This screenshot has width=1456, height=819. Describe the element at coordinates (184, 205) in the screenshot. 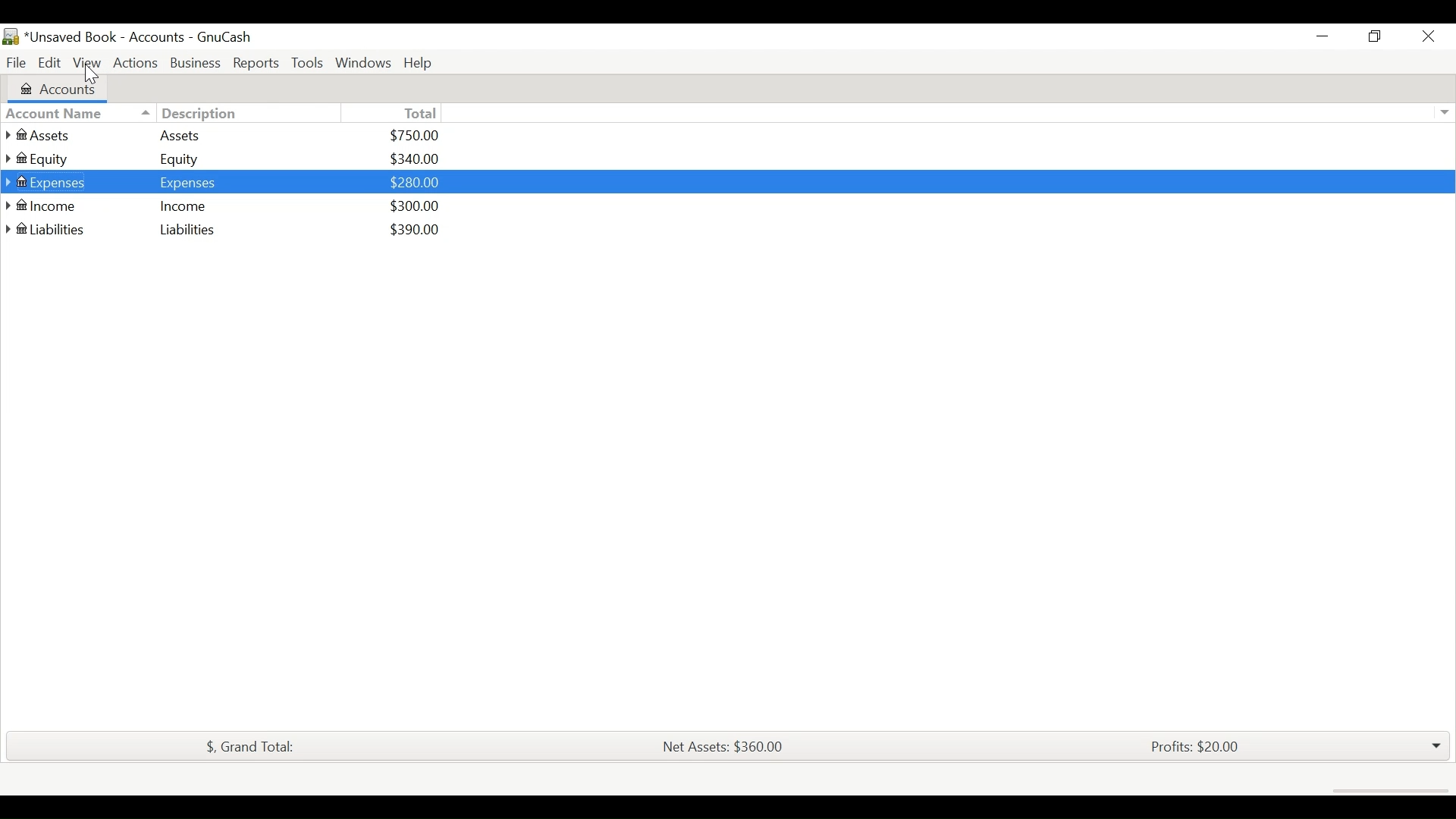

I see `Income` at that location.